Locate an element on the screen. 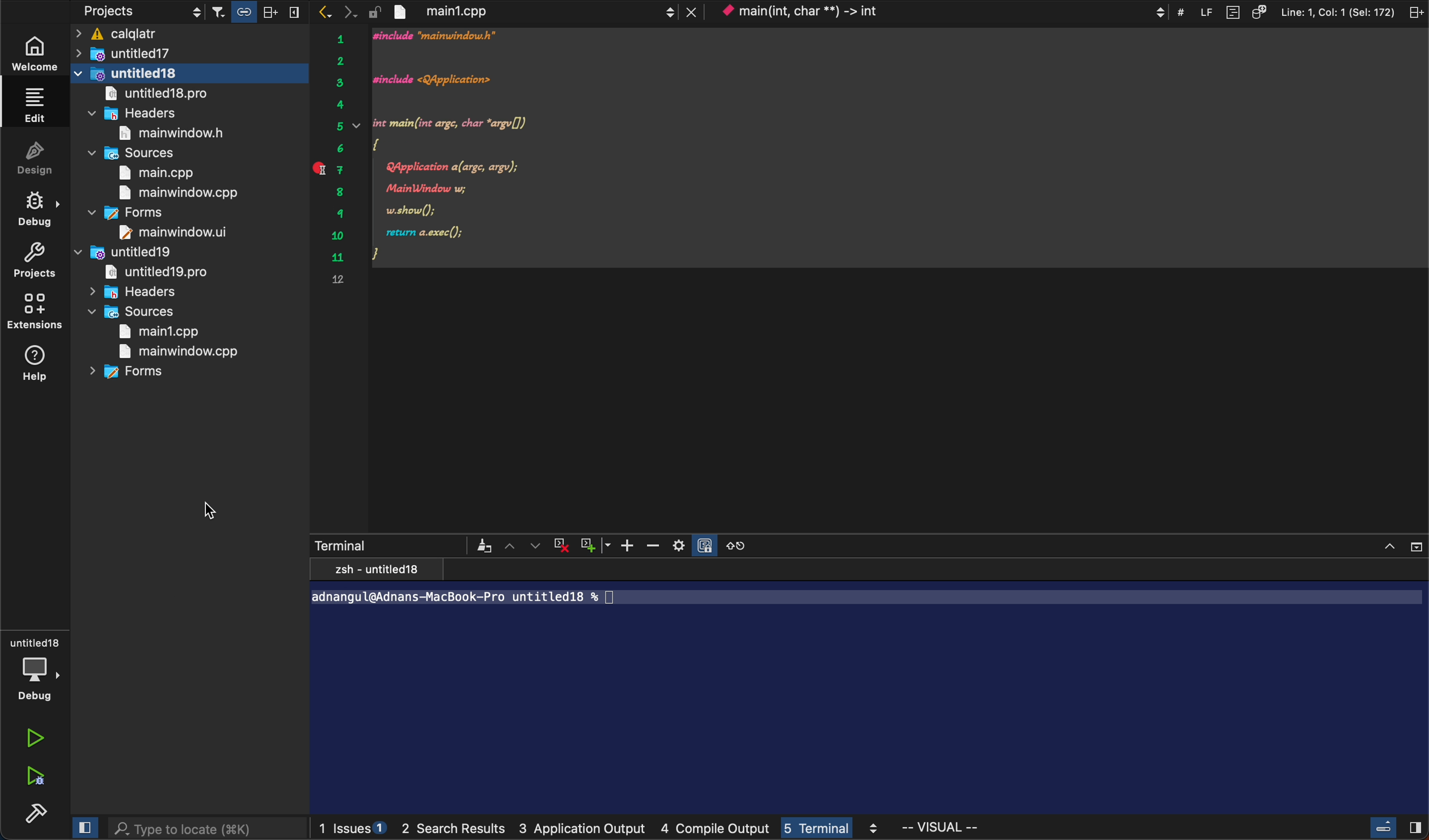 The image size is (1429, 840). help is located at coordinates (33, 367).